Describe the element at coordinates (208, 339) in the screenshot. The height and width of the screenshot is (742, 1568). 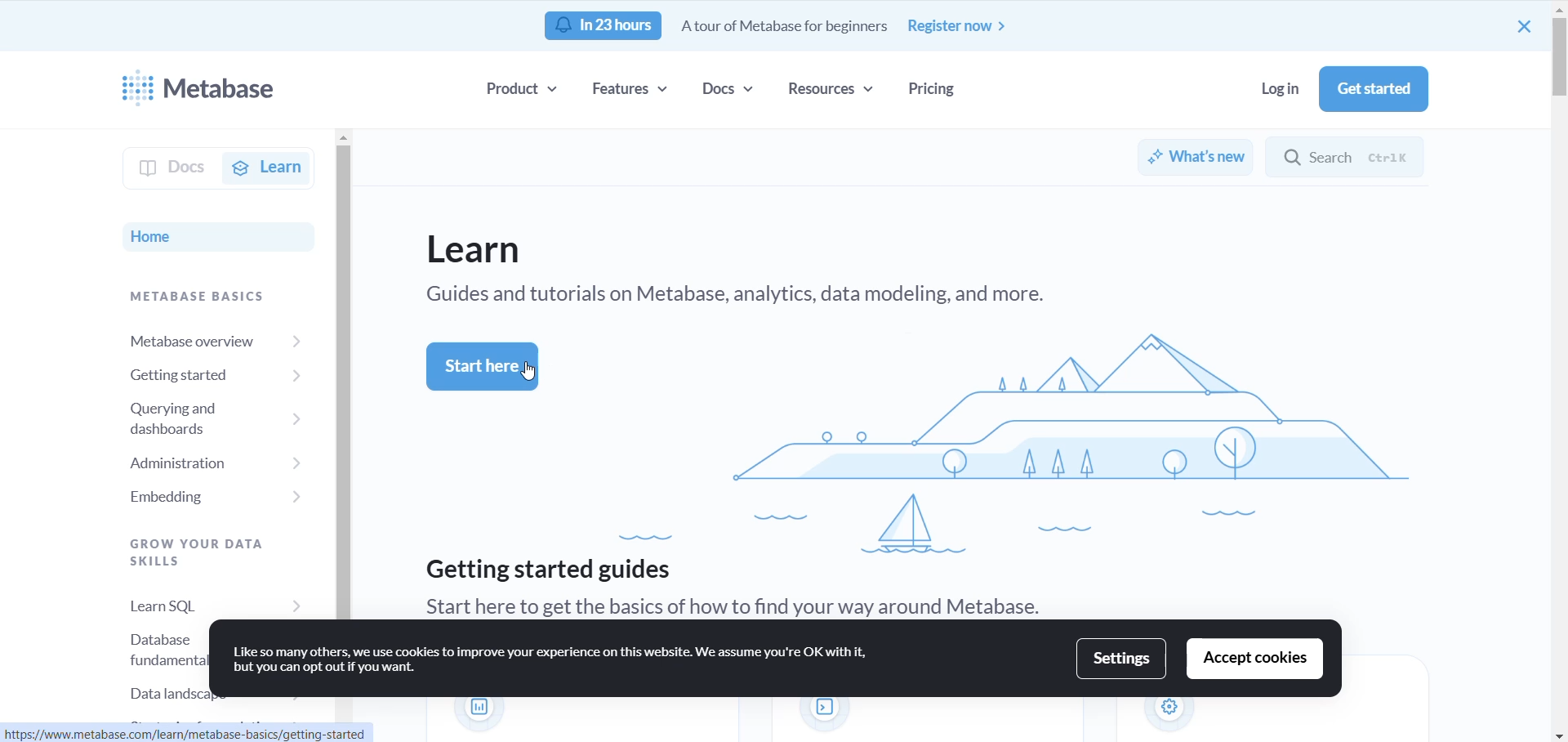
I see `metabase overview` at that location.